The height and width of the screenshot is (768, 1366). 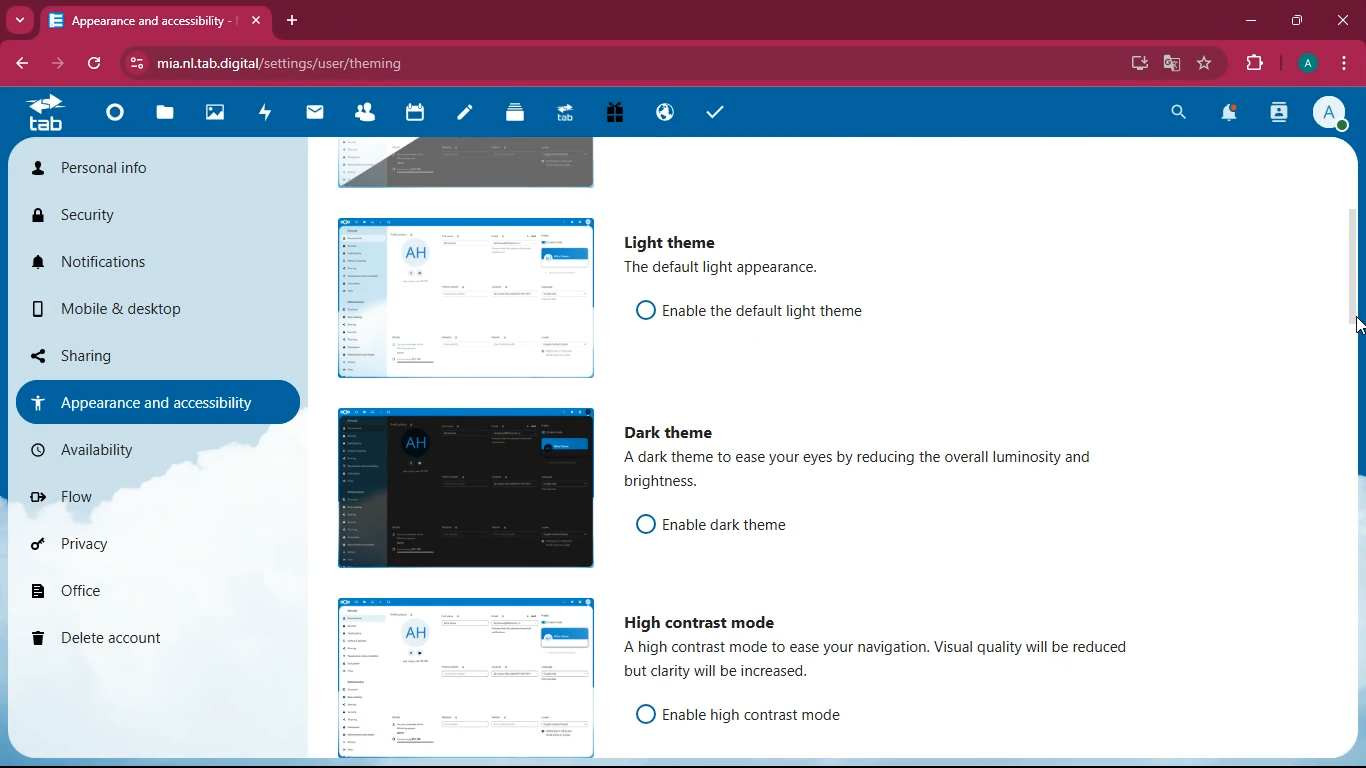 I want to click on on/off button, so click(x=638, y=309).